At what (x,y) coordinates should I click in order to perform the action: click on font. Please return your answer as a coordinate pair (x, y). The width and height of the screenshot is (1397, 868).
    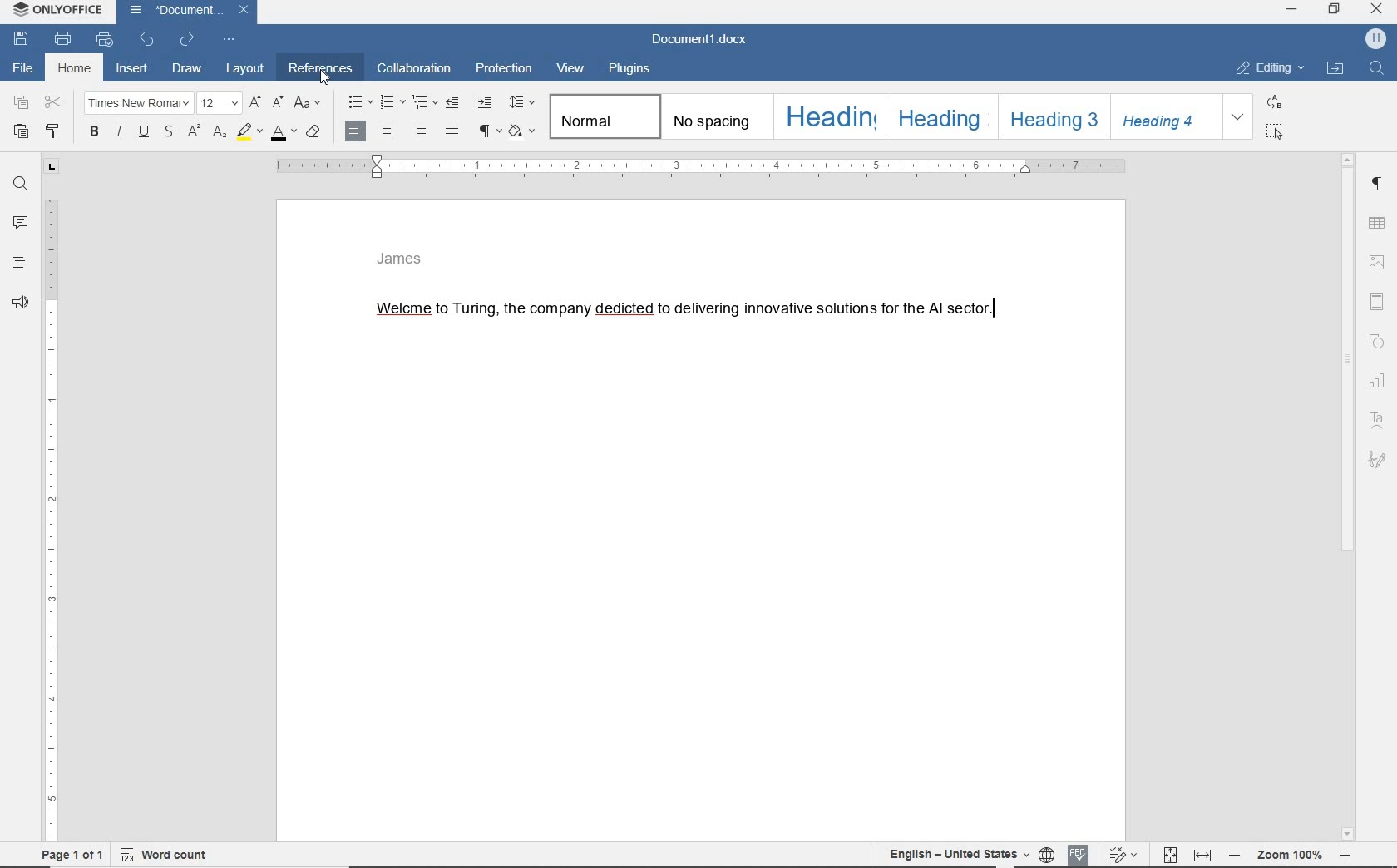
    Looking at the image, I should click on (140, 105).